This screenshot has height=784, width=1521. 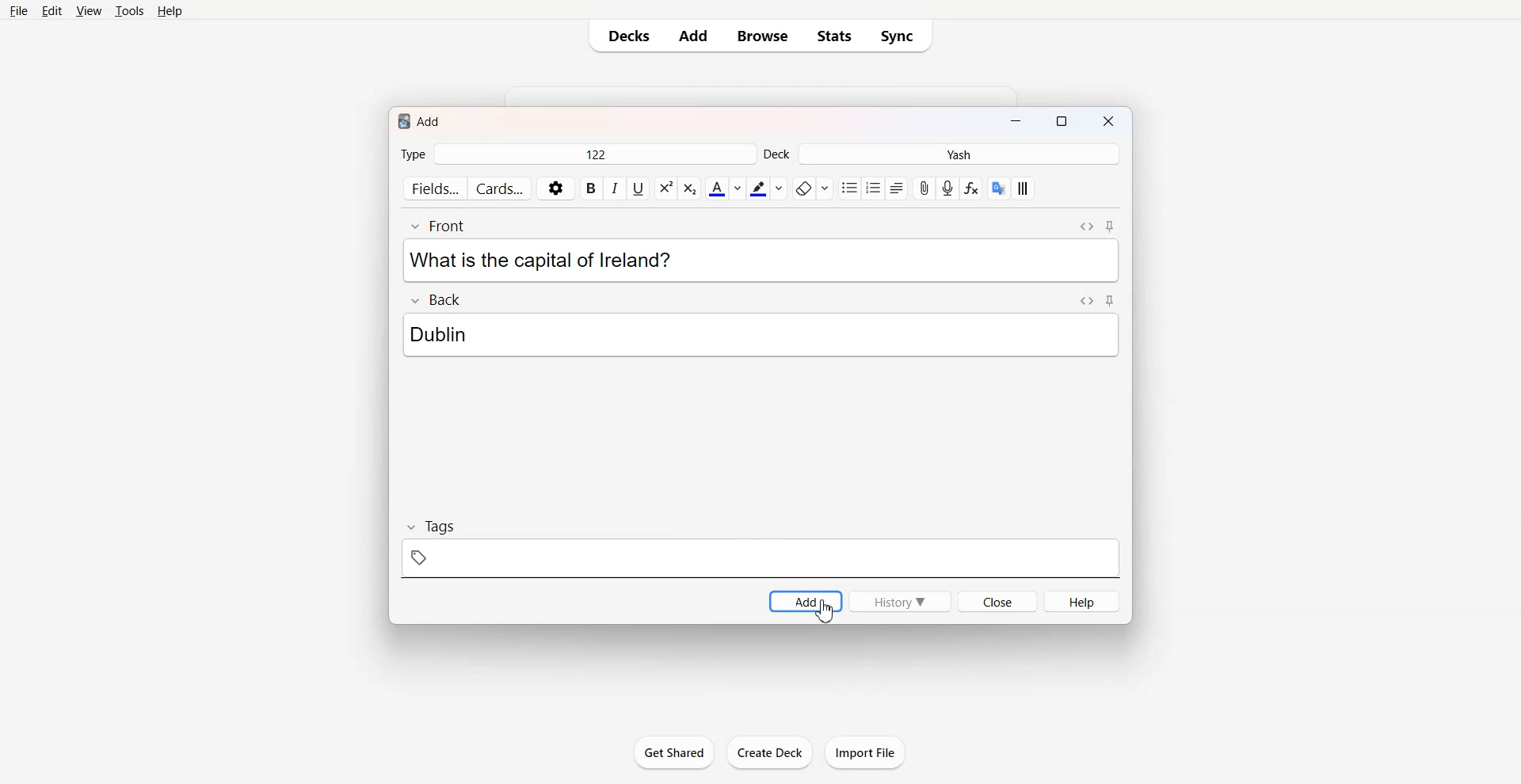 What do you see at coordinates (848, 188) in the screenshot?
I see `Unorder List` at bounding box center [848, 188].